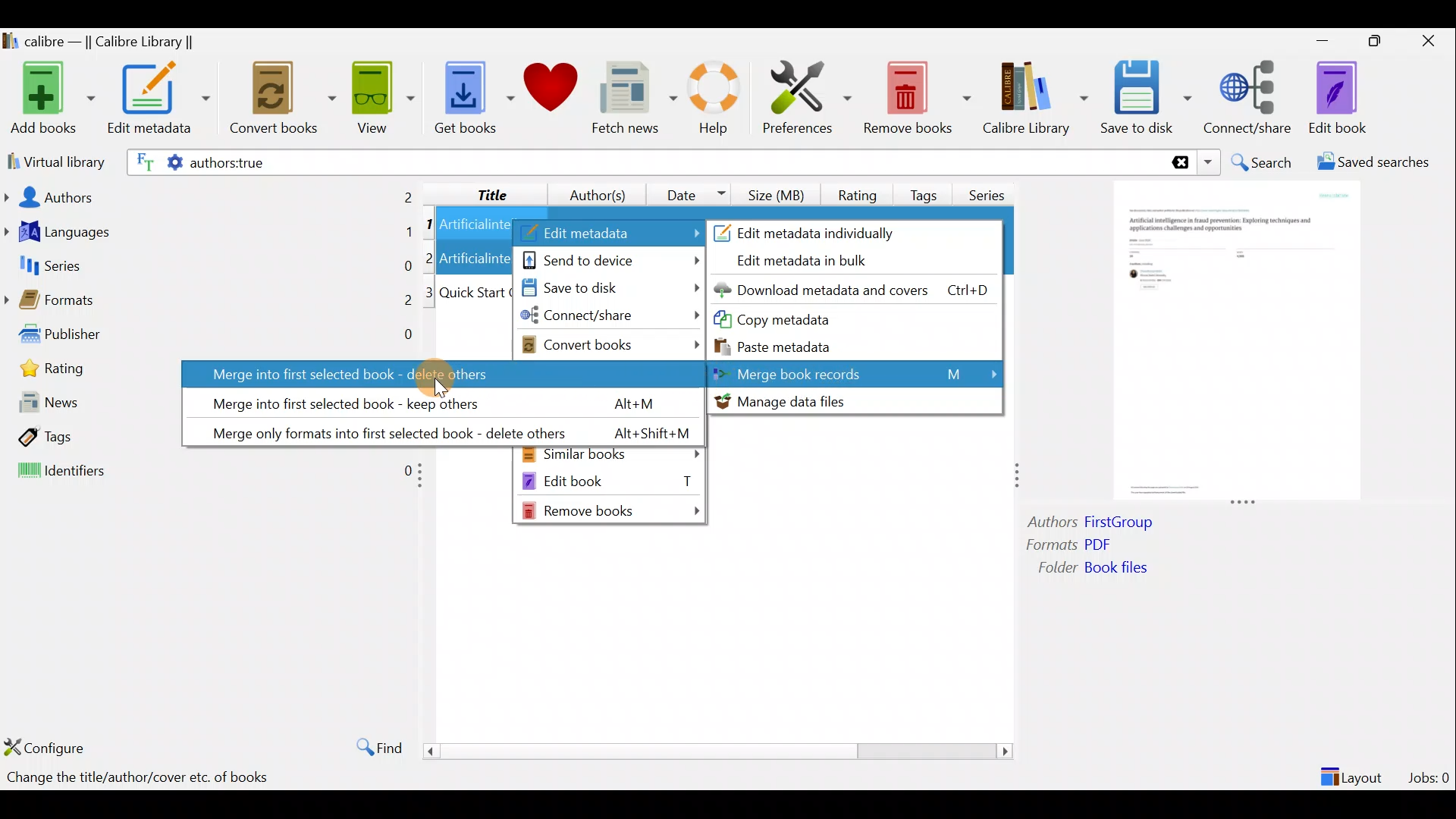 This screenshot has width=1456, height=819. I want to click on Merge into first selected book - keep others  Alt+M, so click(431, 400).